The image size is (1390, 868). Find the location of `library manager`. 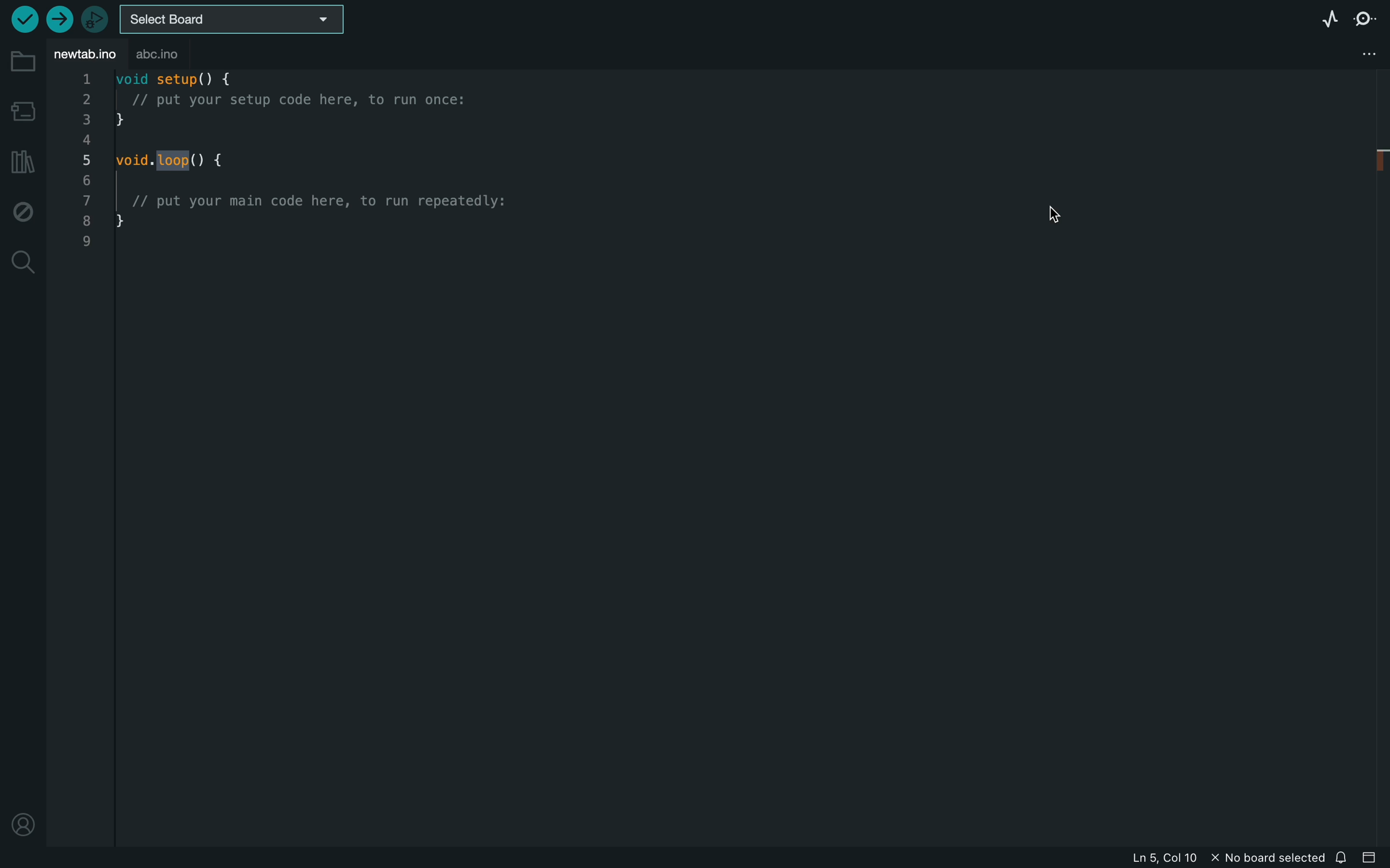

library manager is located at coordinates (20, 161).